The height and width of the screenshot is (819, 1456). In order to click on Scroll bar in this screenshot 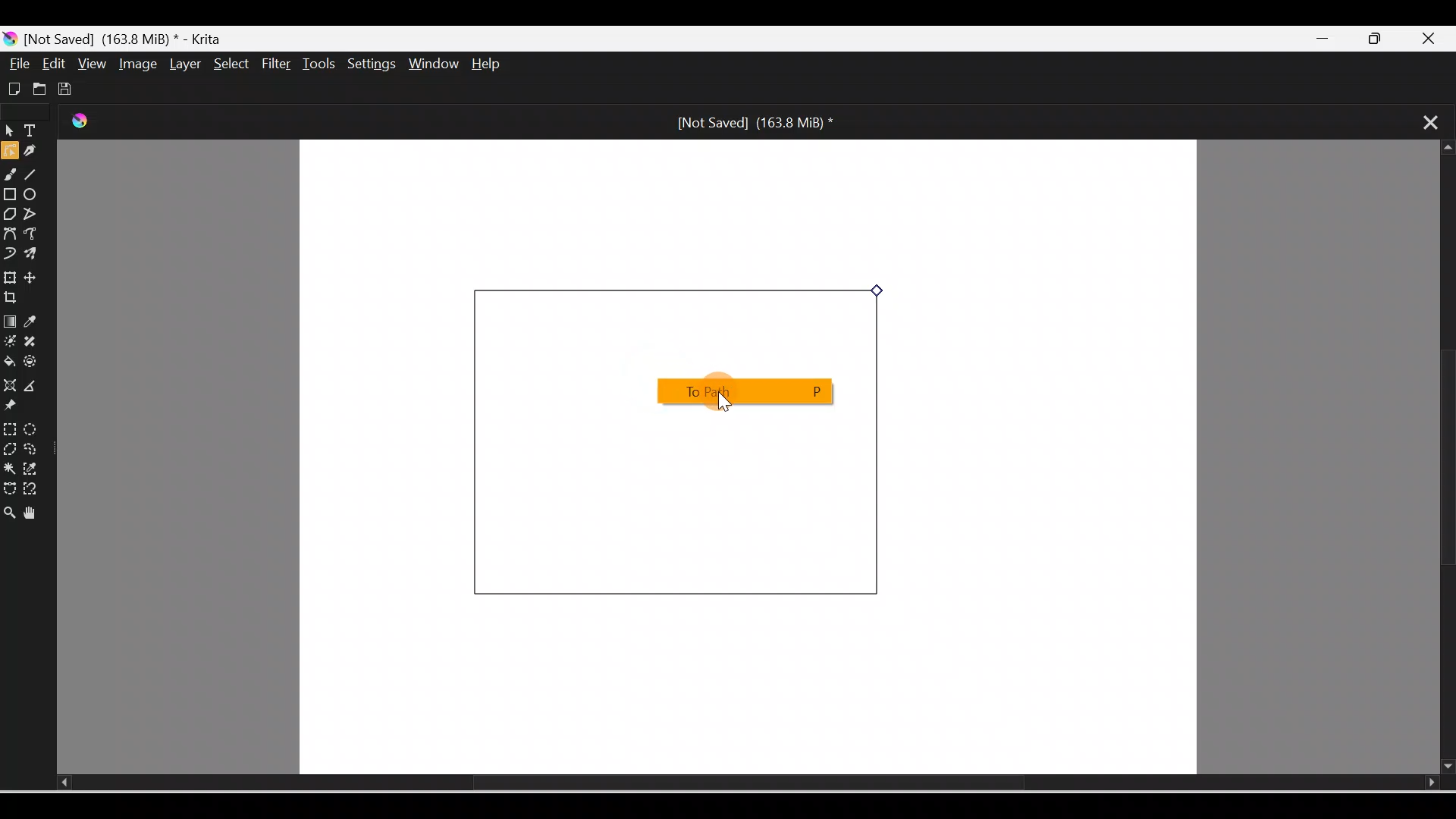, I will do `click(725, 783)`.